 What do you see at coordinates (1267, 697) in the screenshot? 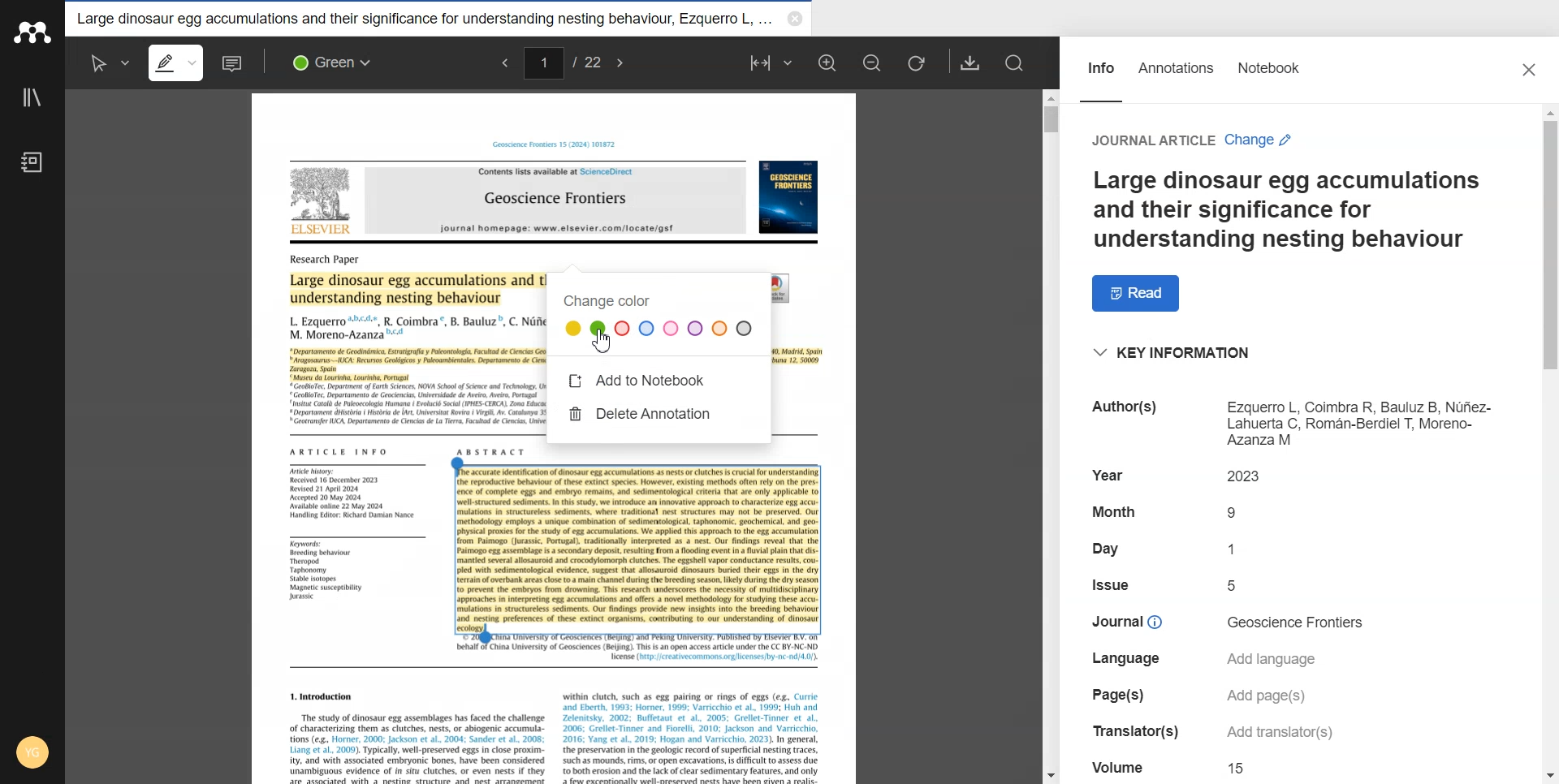
I see `text` at bounding box center [1267, 697].